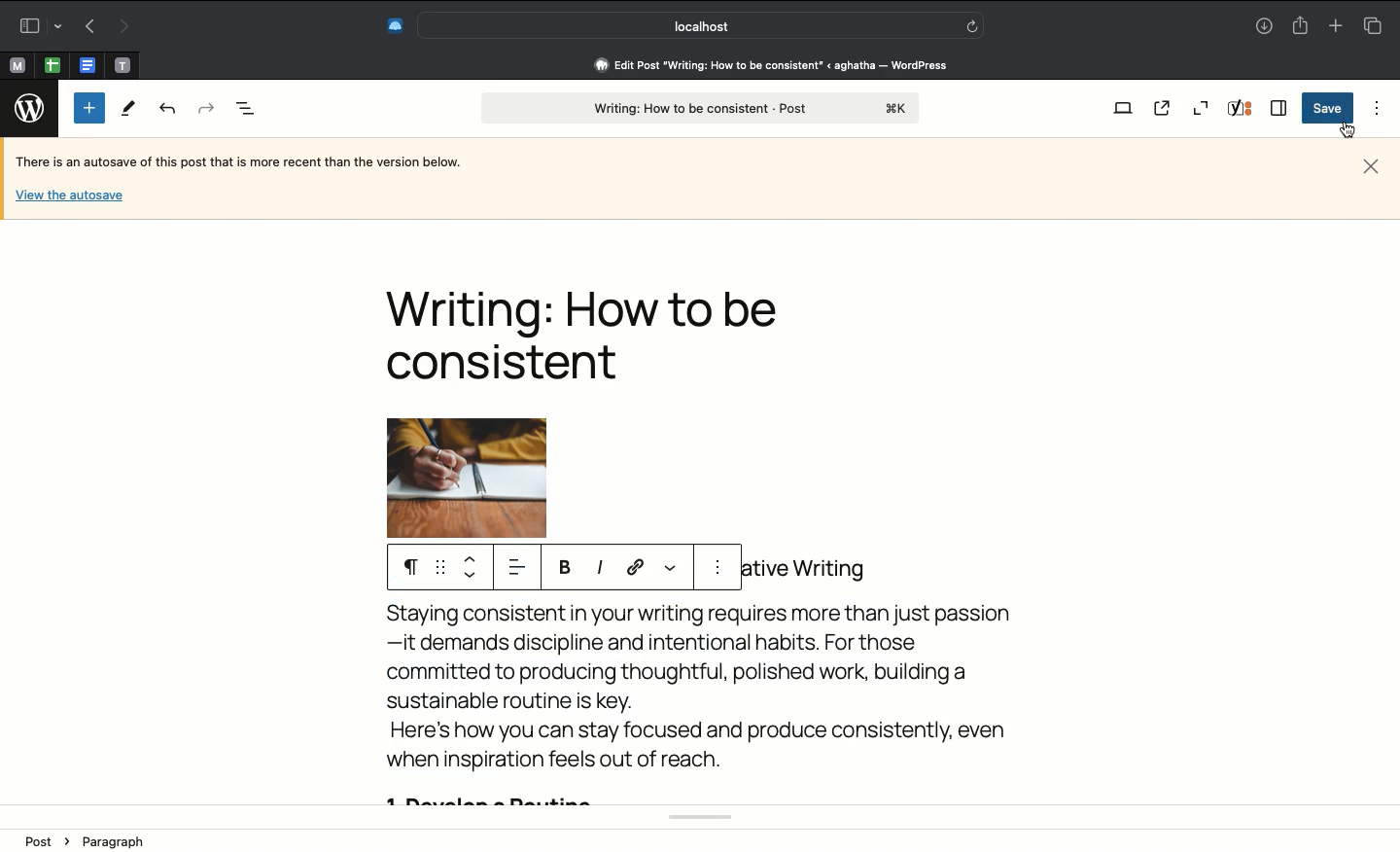 The height and width of the screenshot is (852, 1400). I want to click on Post, so click(699, 109).